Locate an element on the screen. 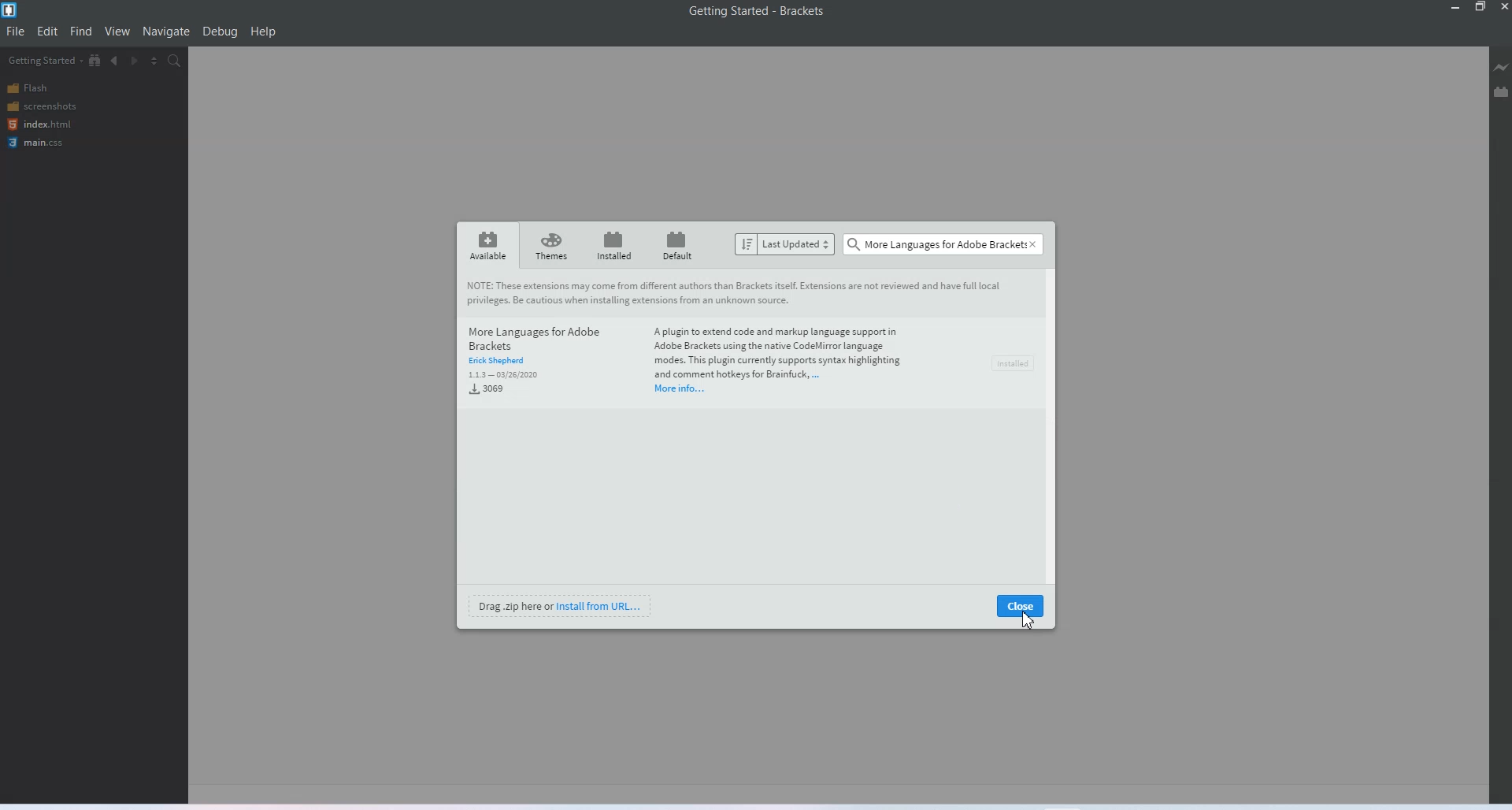 This screenshot has height=810, width=1512. Close is located at coordinates (1020, 604).